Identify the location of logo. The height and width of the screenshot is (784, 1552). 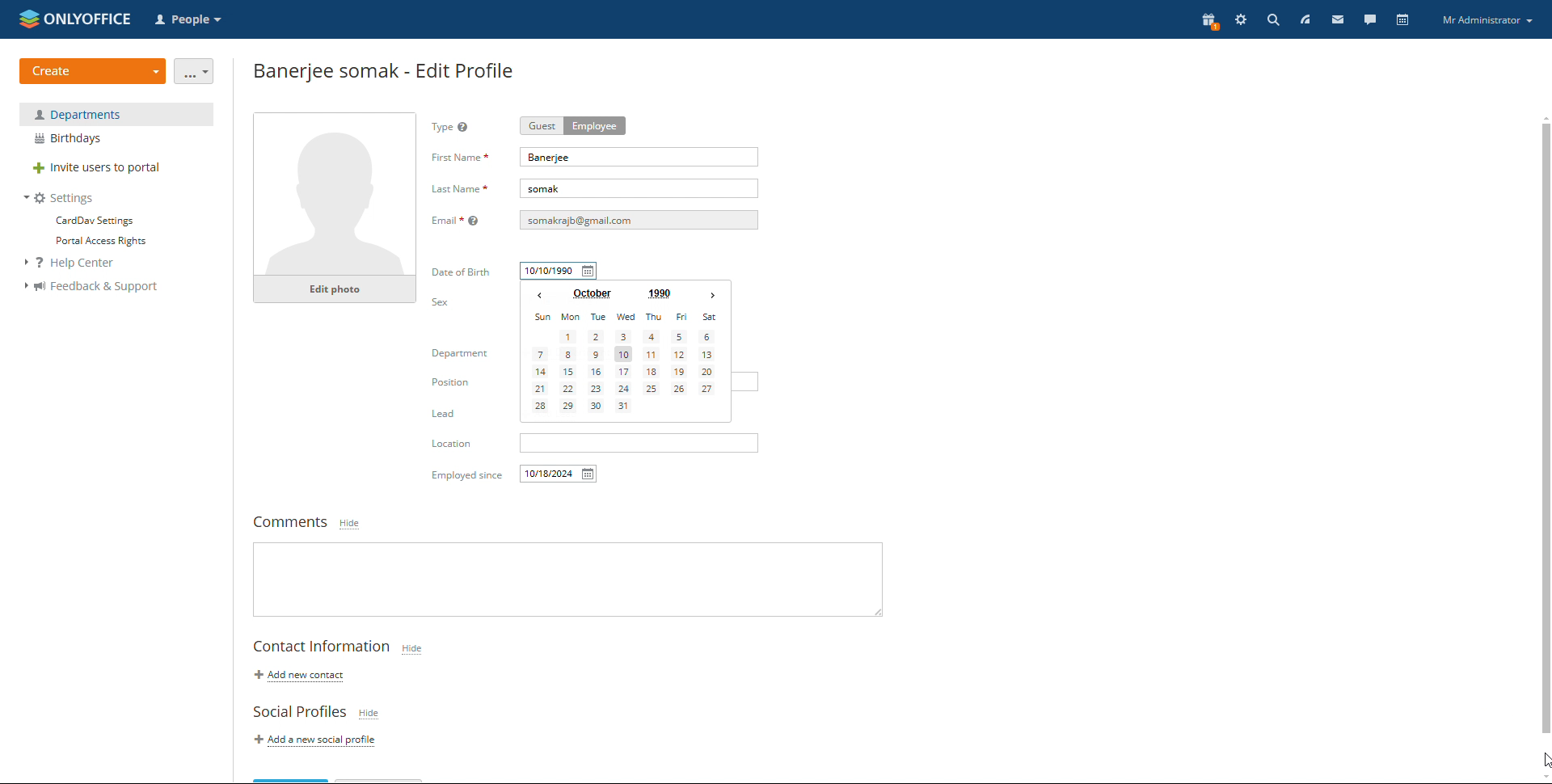
(75, 18).